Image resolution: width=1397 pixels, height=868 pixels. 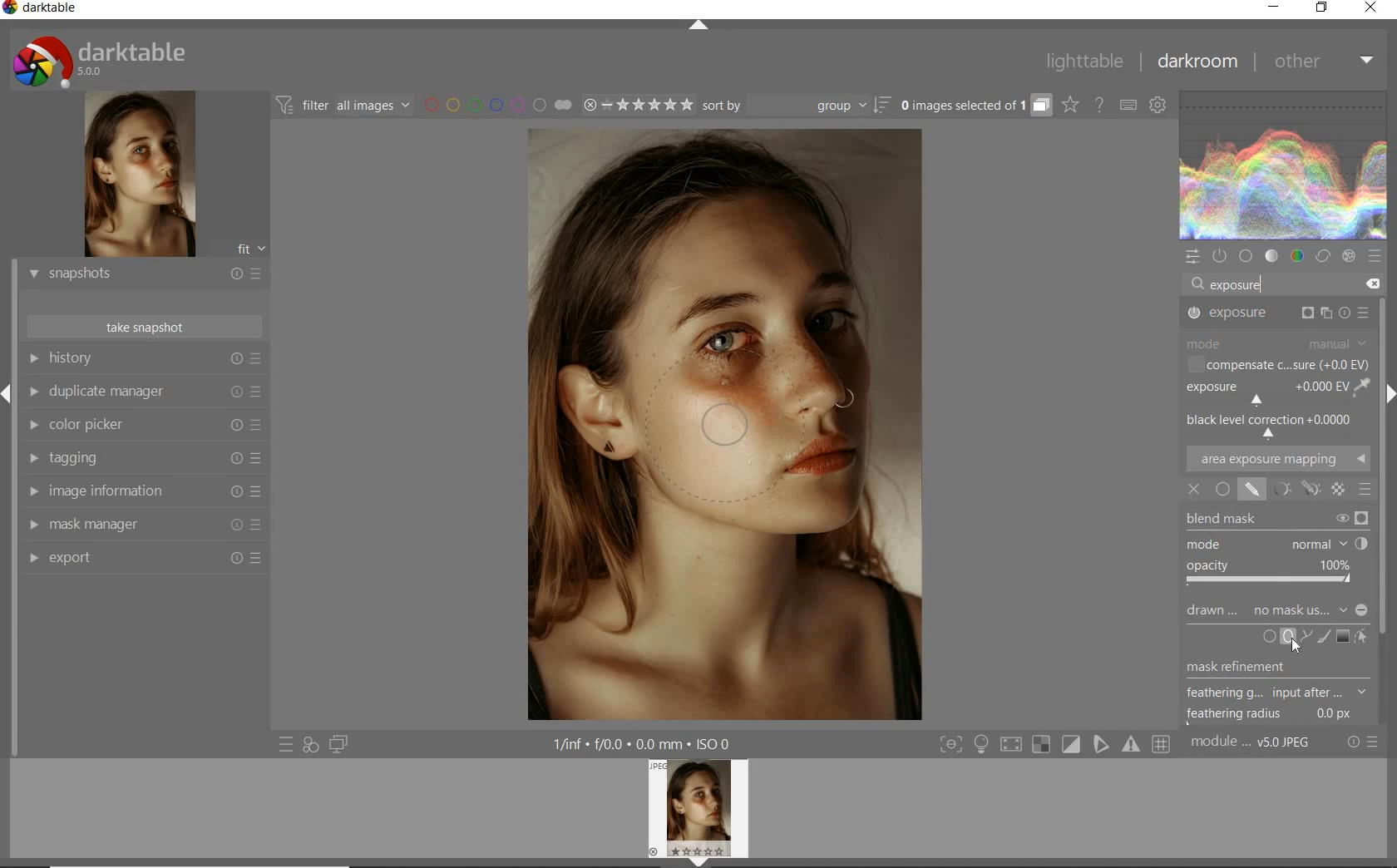 I want to click on image information, so click(x=144, y=491).